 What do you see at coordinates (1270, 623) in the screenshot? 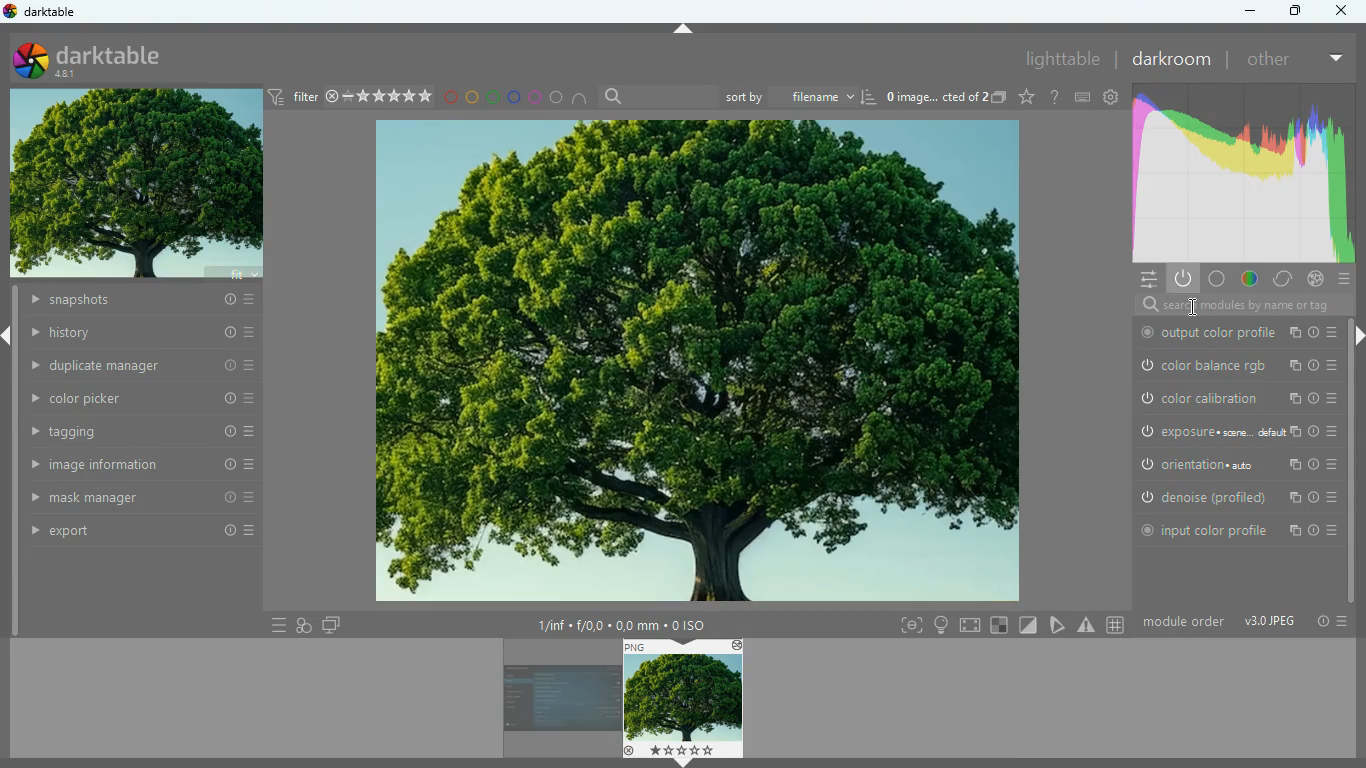
I see `image type` at bounding box center [1270, 623].